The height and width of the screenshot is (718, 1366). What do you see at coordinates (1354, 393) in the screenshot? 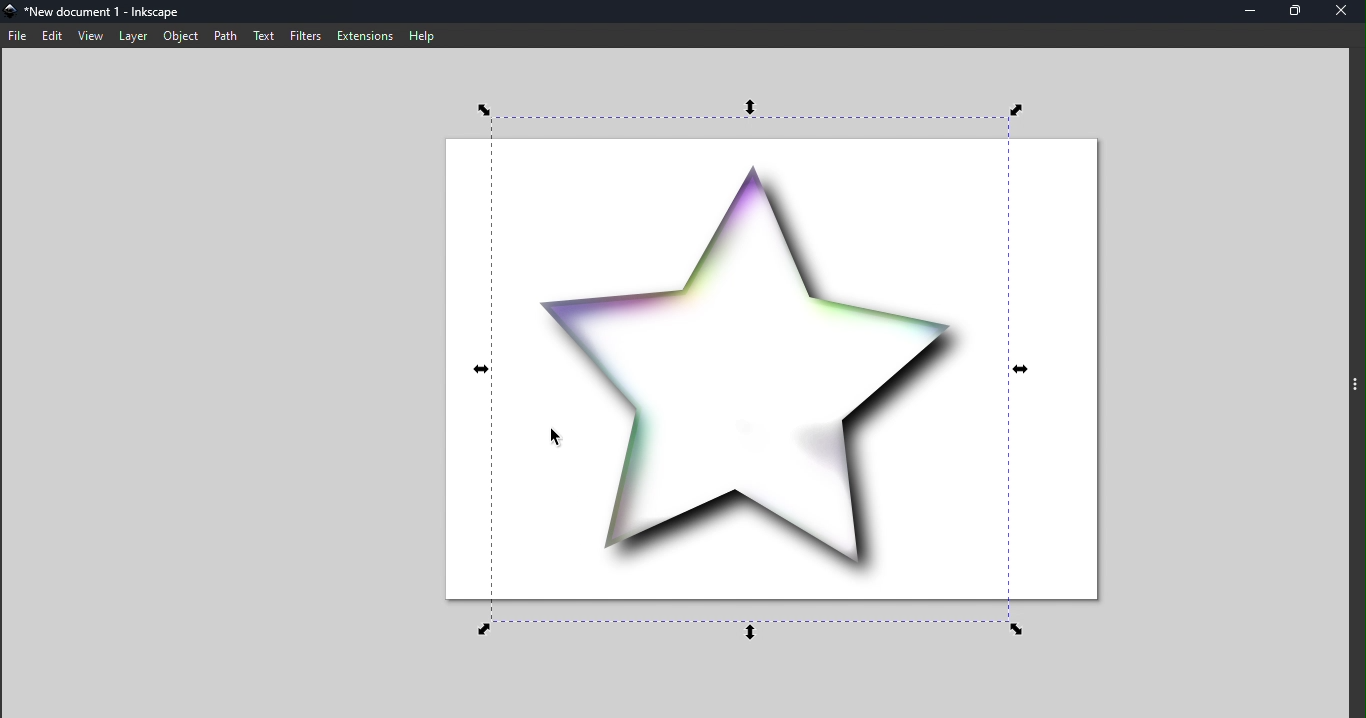
I see `toggle command panel` at bounding box center [1354, 393].